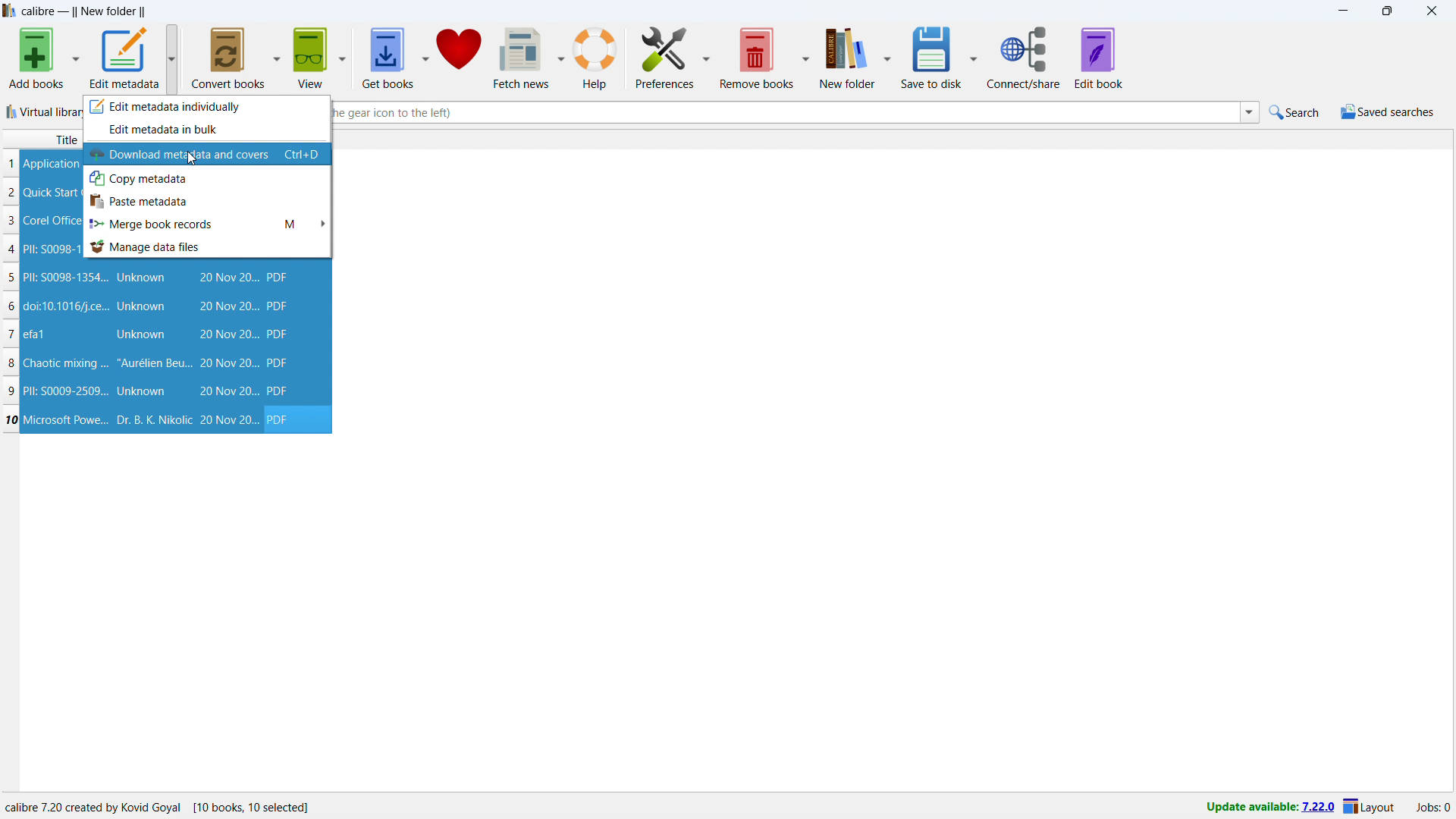 This screenshot has height=819, width=1456. Describe the element at coordinates (10, 279) in the screenshot. I see `5` at that location.